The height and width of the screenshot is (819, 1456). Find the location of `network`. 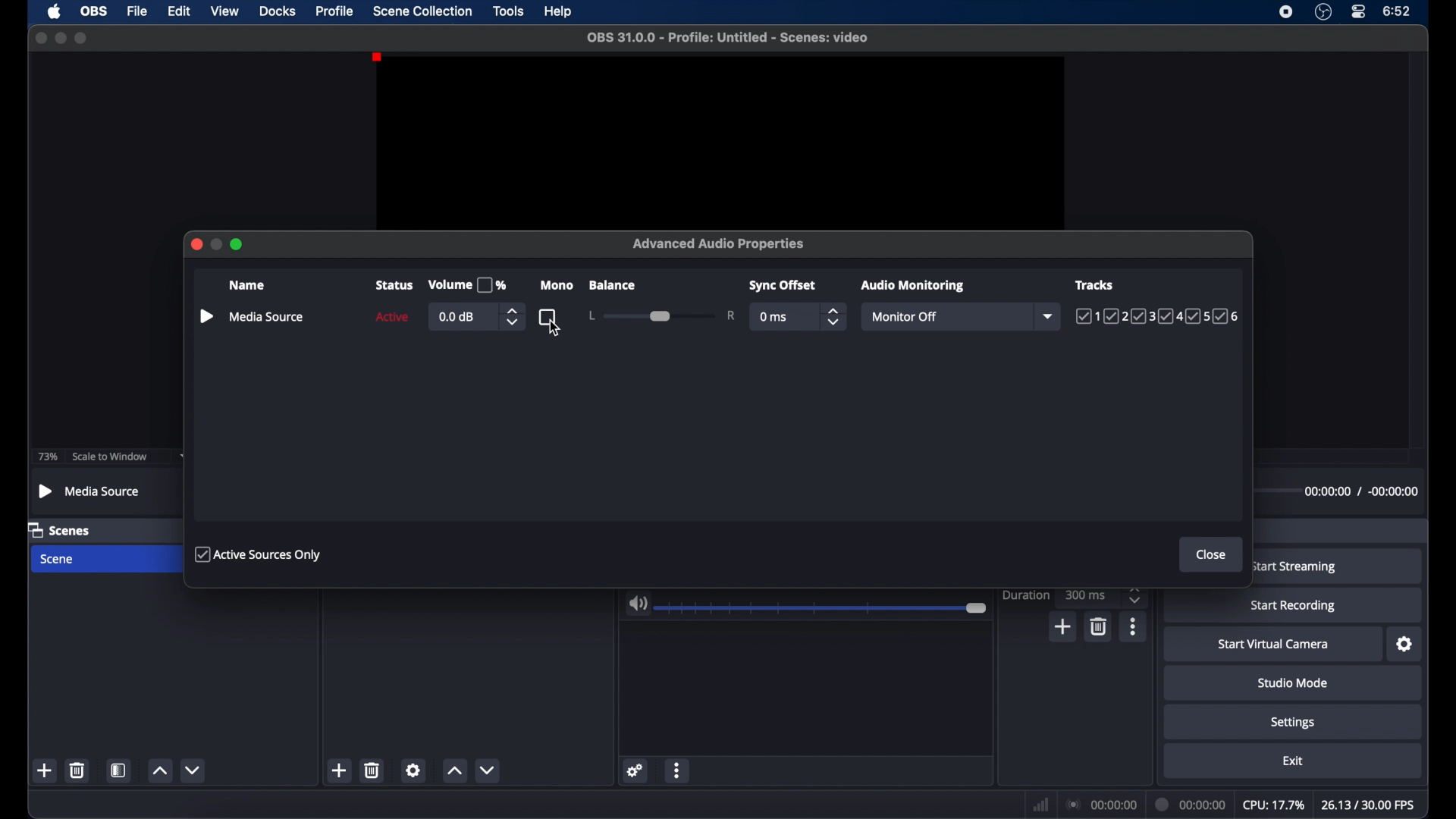

network is located at coordinates (1040, 805).